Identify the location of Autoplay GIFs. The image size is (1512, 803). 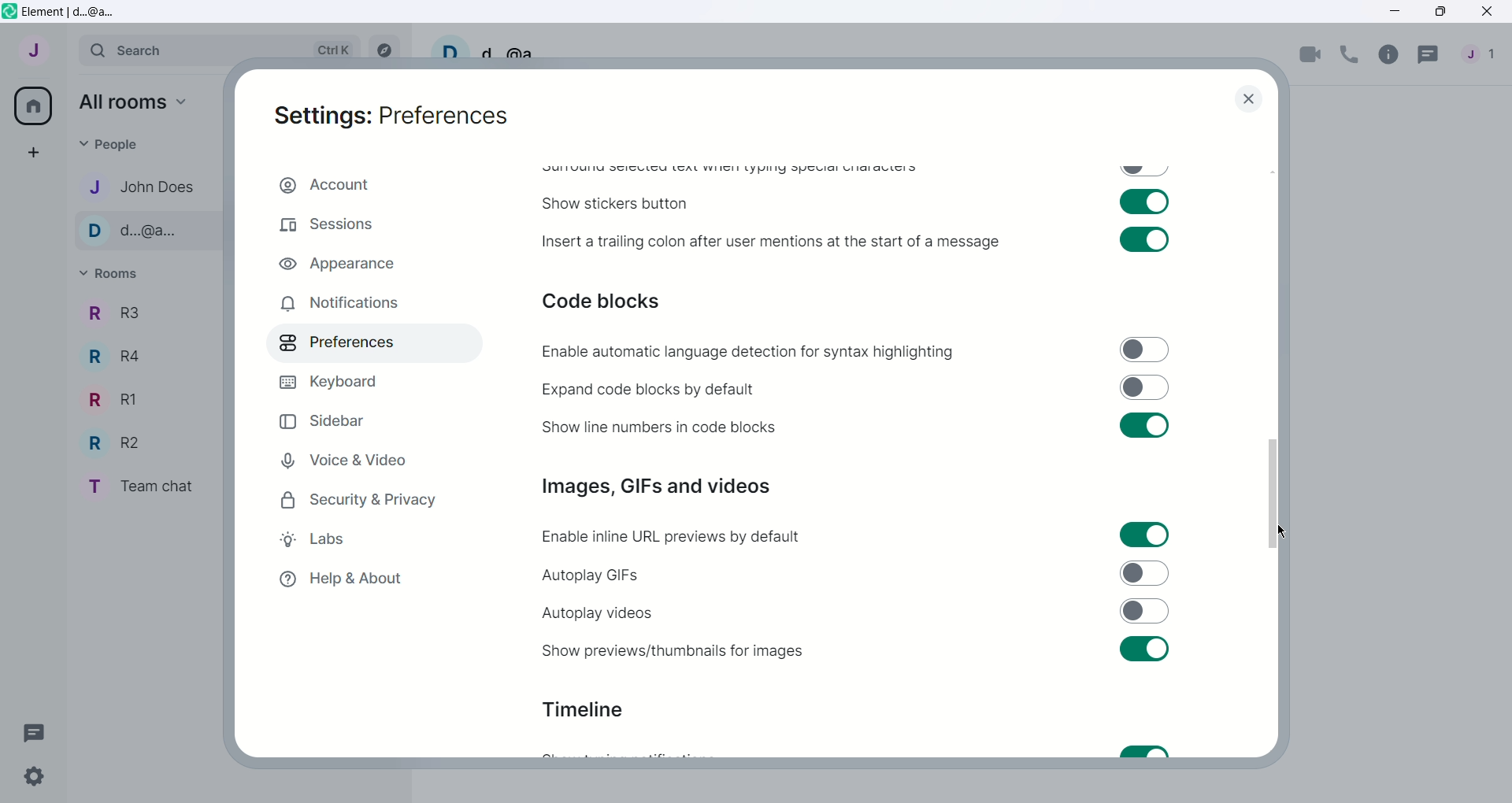
(591, 575).